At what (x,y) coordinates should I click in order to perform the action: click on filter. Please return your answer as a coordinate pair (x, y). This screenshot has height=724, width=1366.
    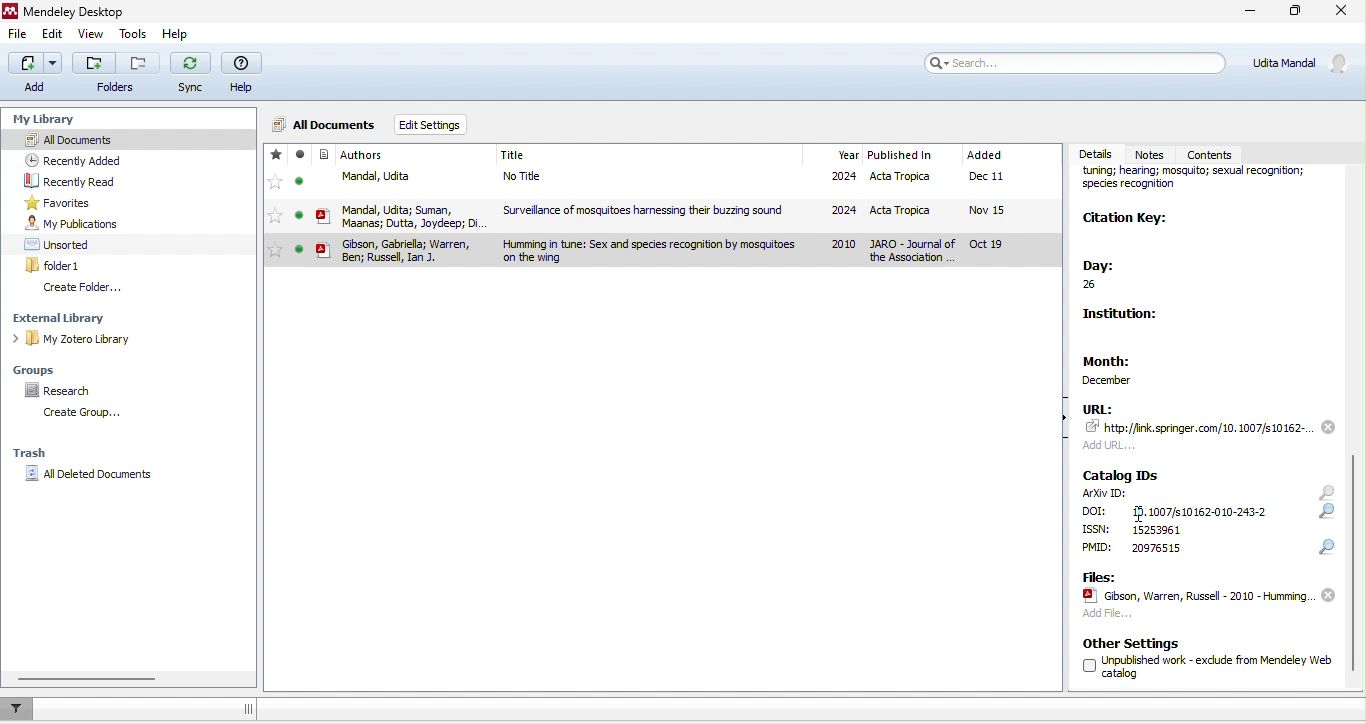
    Looking at the image, I should click on (20, 708).